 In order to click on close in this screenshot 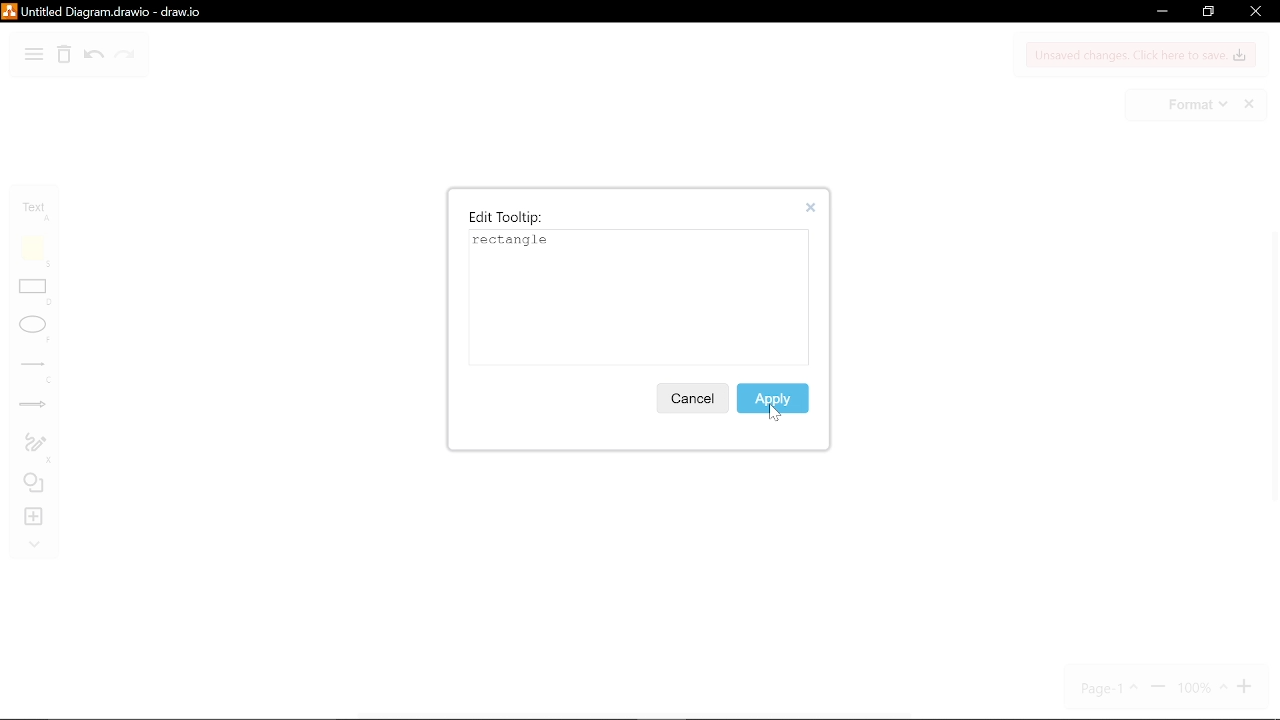, I will do `click(1251, 105)`.